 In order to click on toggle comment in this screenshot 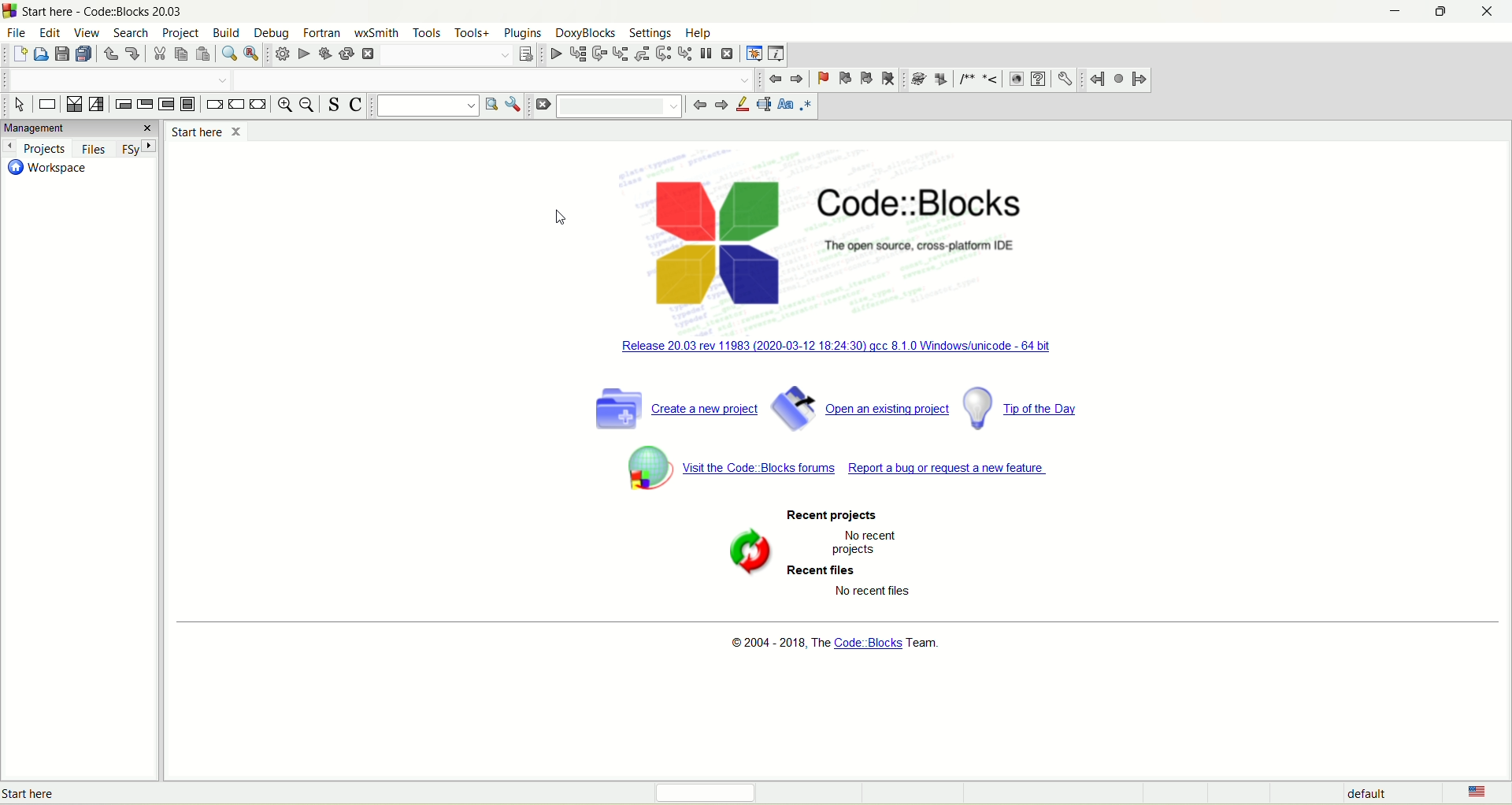, I will do `click(358, 105)`.